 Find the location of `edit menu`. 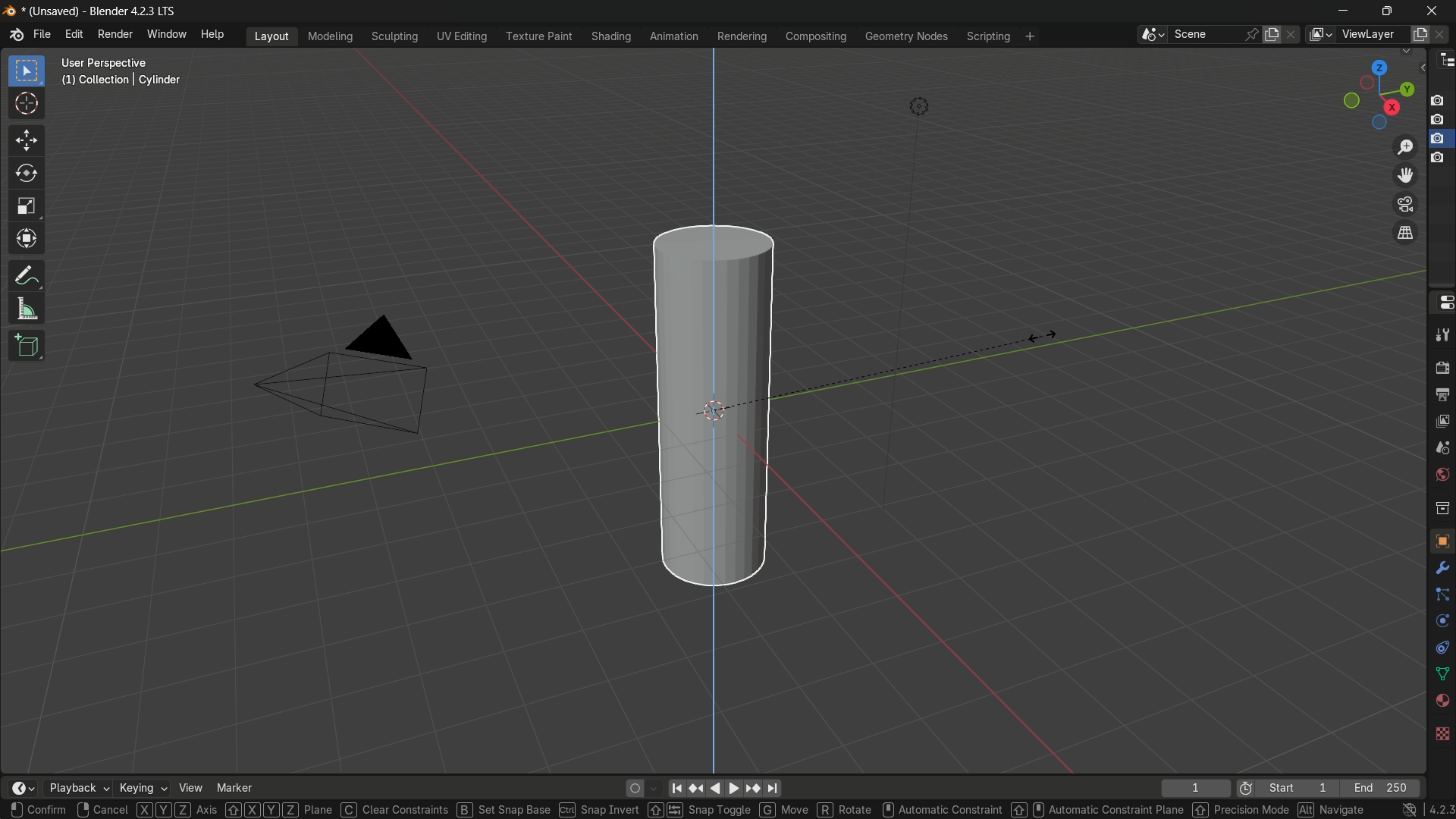

edit menu is located at coordinates (75, 36).